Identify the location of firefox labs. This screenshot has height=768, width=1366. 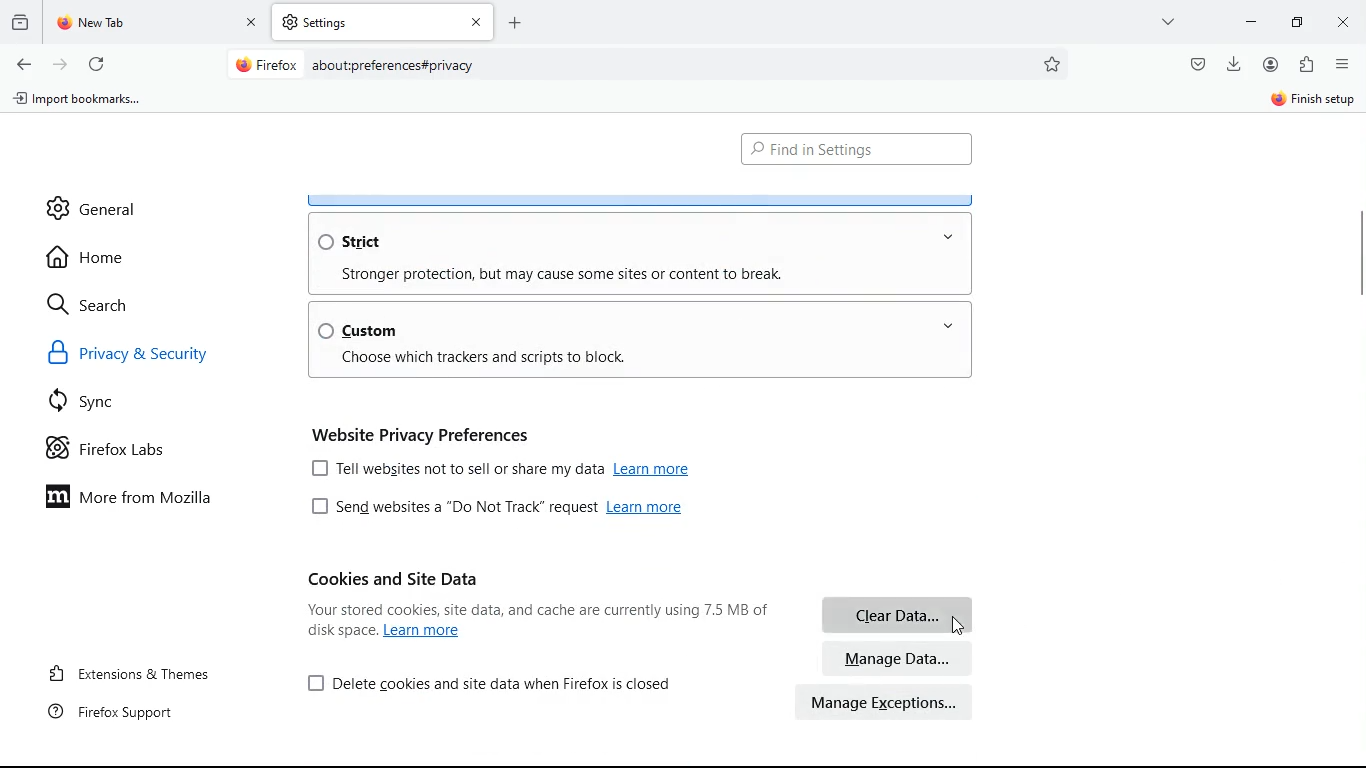
(126, 453).